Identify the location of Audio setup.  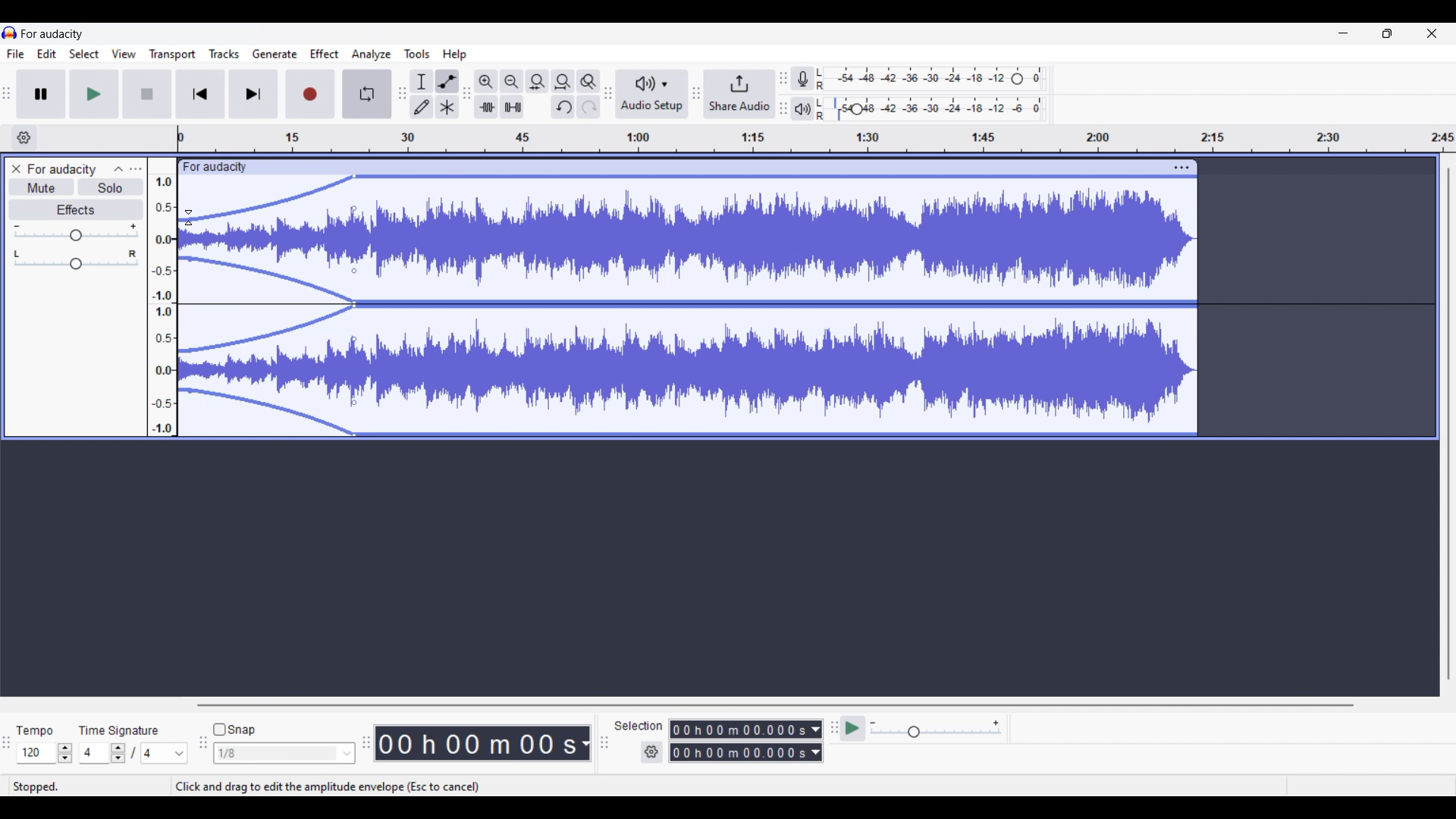
(652, 94).